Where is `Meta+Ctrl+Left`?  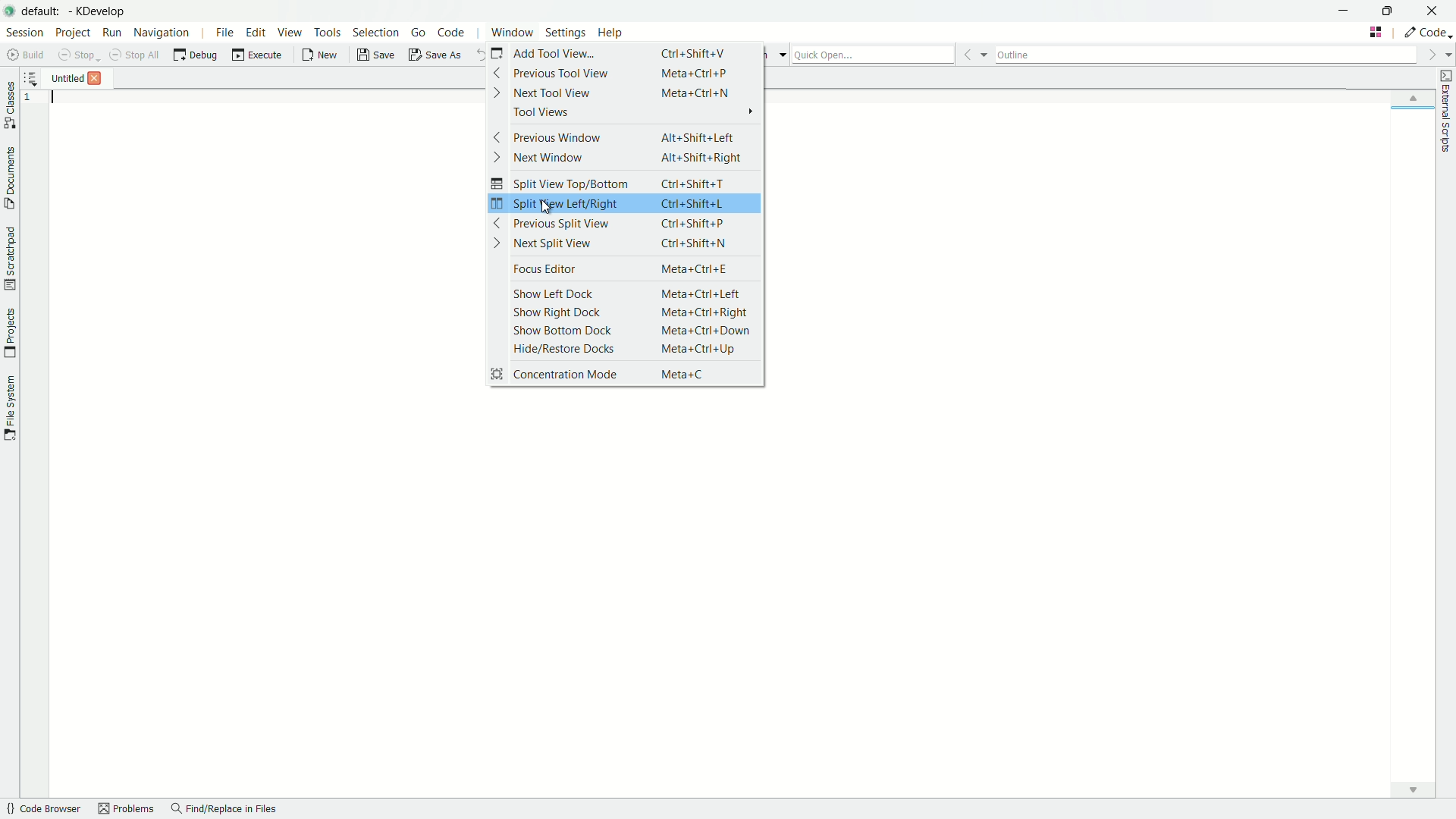 Meta+Ctrl+Left is located at coordinates (699, 290).